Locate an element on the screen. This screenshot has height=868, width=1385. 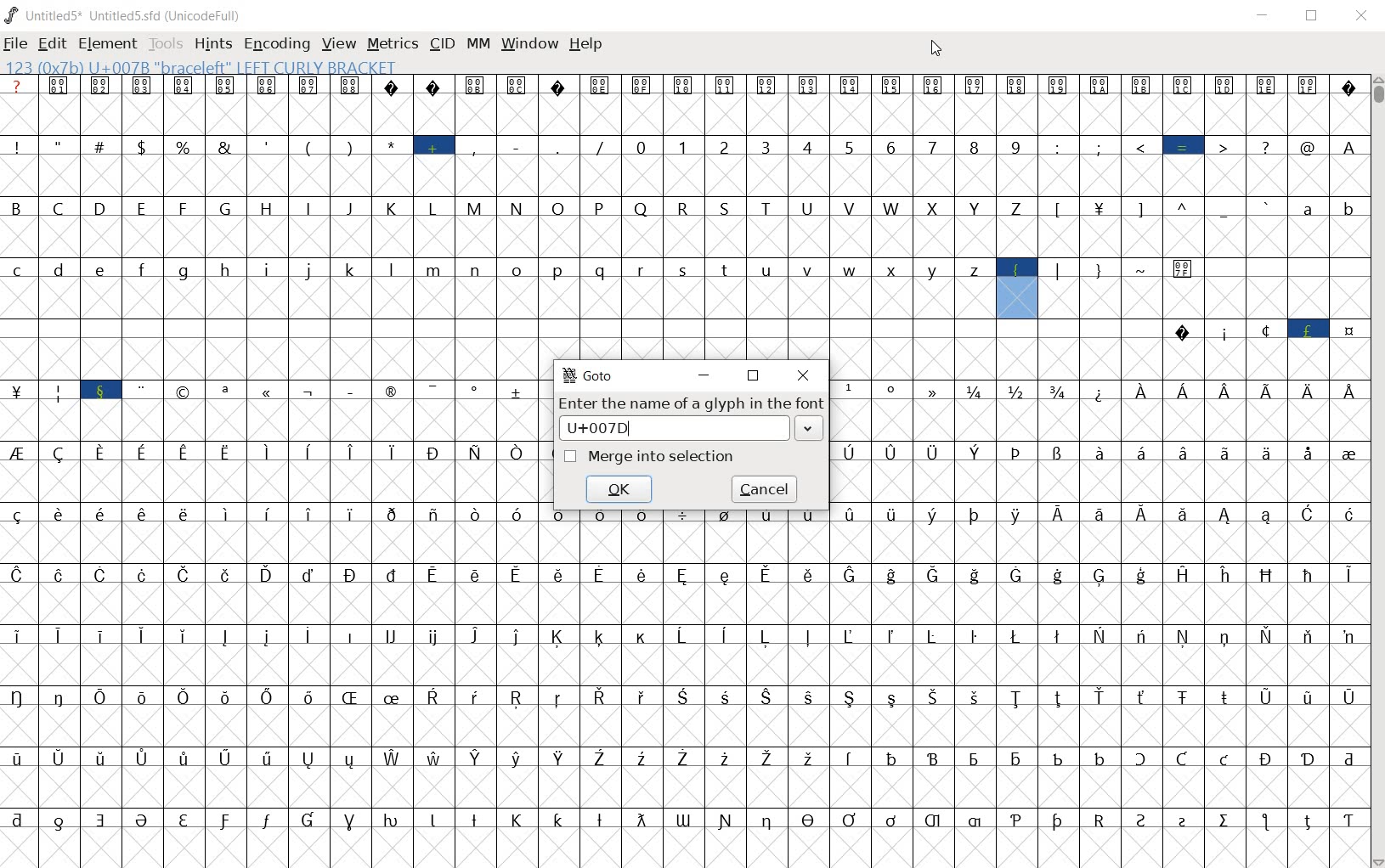
HELP is located at coordinates (586, 43).